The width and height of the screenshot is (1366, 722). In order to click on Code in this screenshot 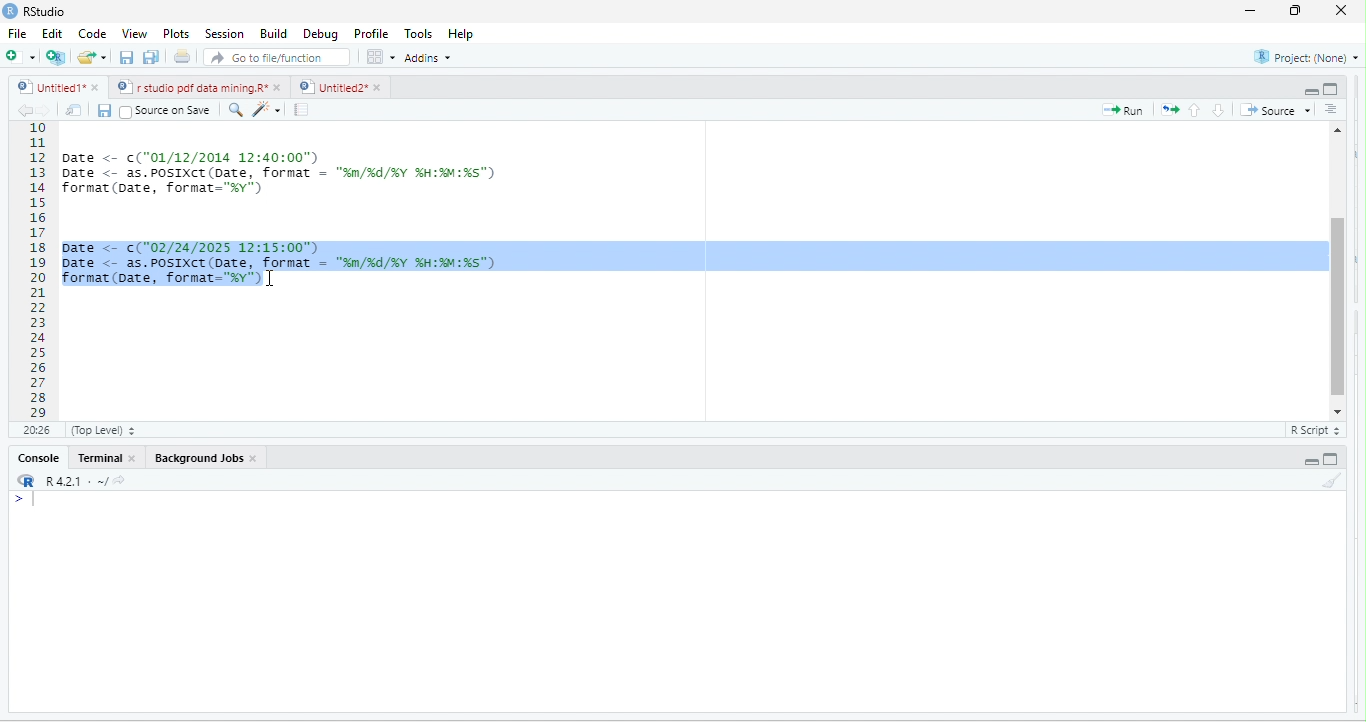, I will do `click(91, 35)`.